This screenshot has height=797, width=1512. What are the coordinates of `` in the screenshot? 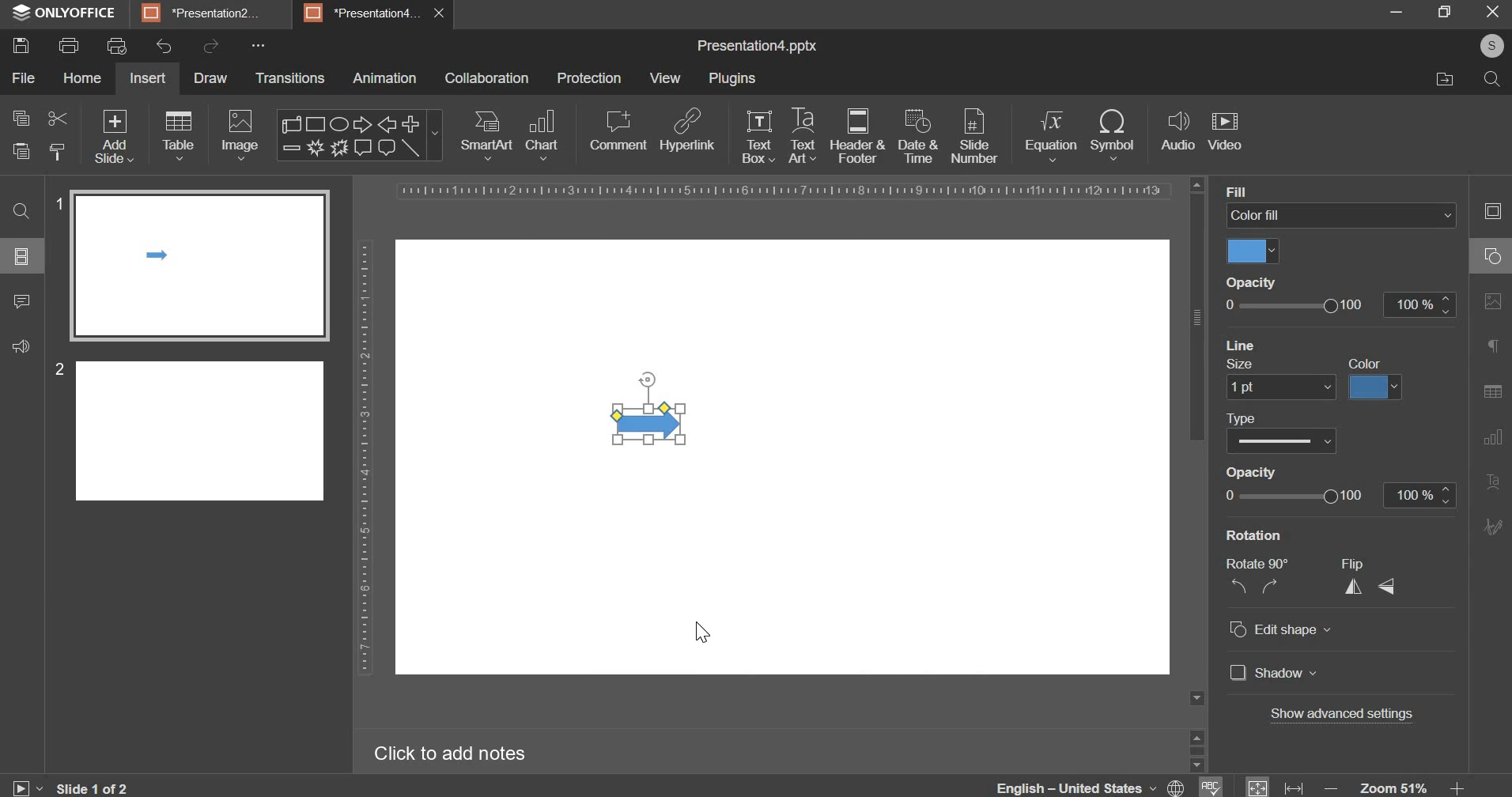 It's located at (1351, 716).